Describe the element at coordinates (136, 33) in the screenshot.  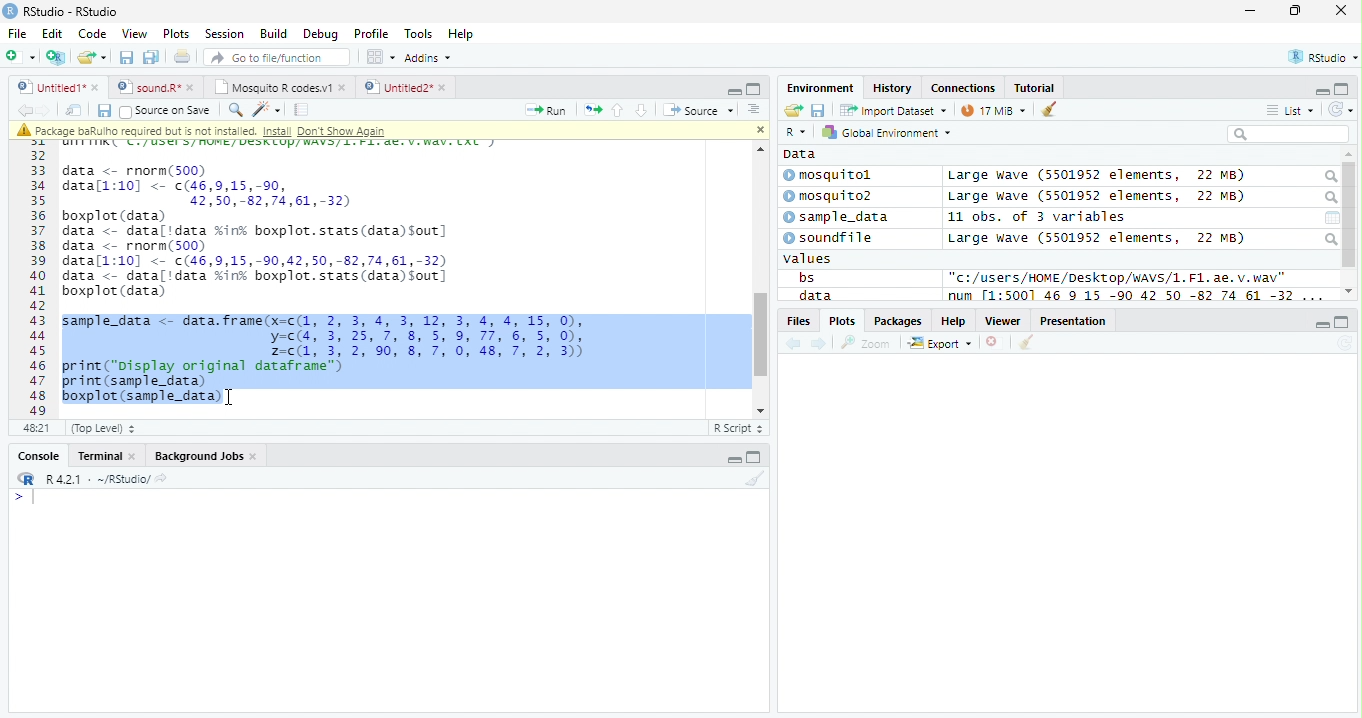
I see `View` at that location.